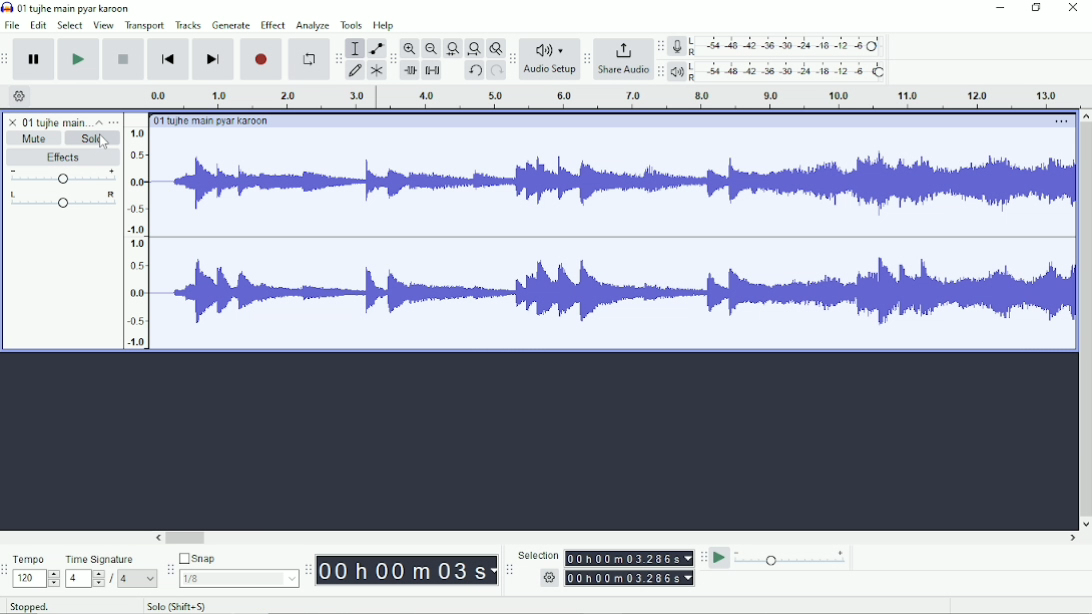 The height and width of the screenshot is (614, 1092). Describe the element at coordinates (719, 559) in the screenshot. I see `Play-at-speed` at that location.